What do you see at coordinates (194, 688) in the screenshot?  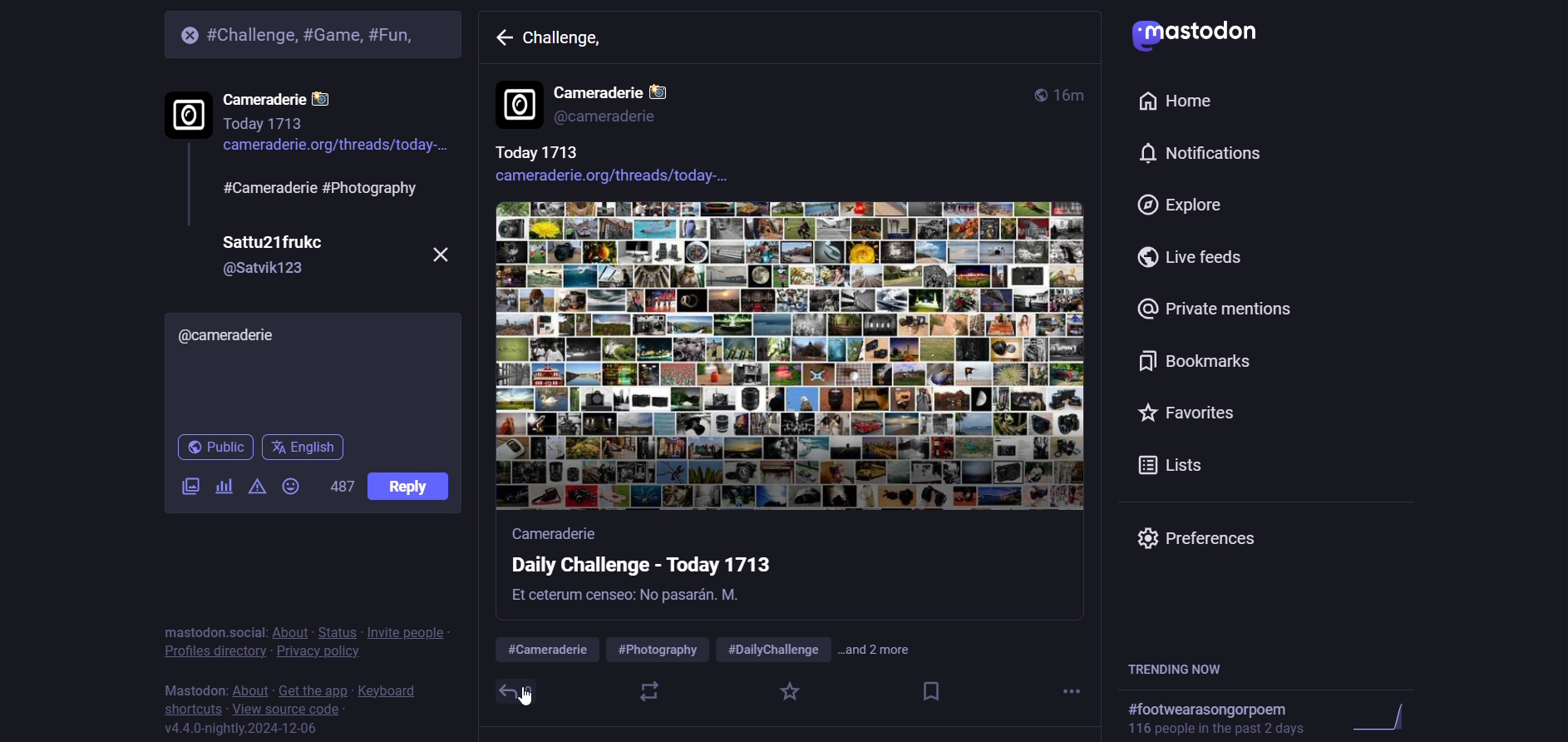 I see `mastodon` at bounding box center [194, 688].